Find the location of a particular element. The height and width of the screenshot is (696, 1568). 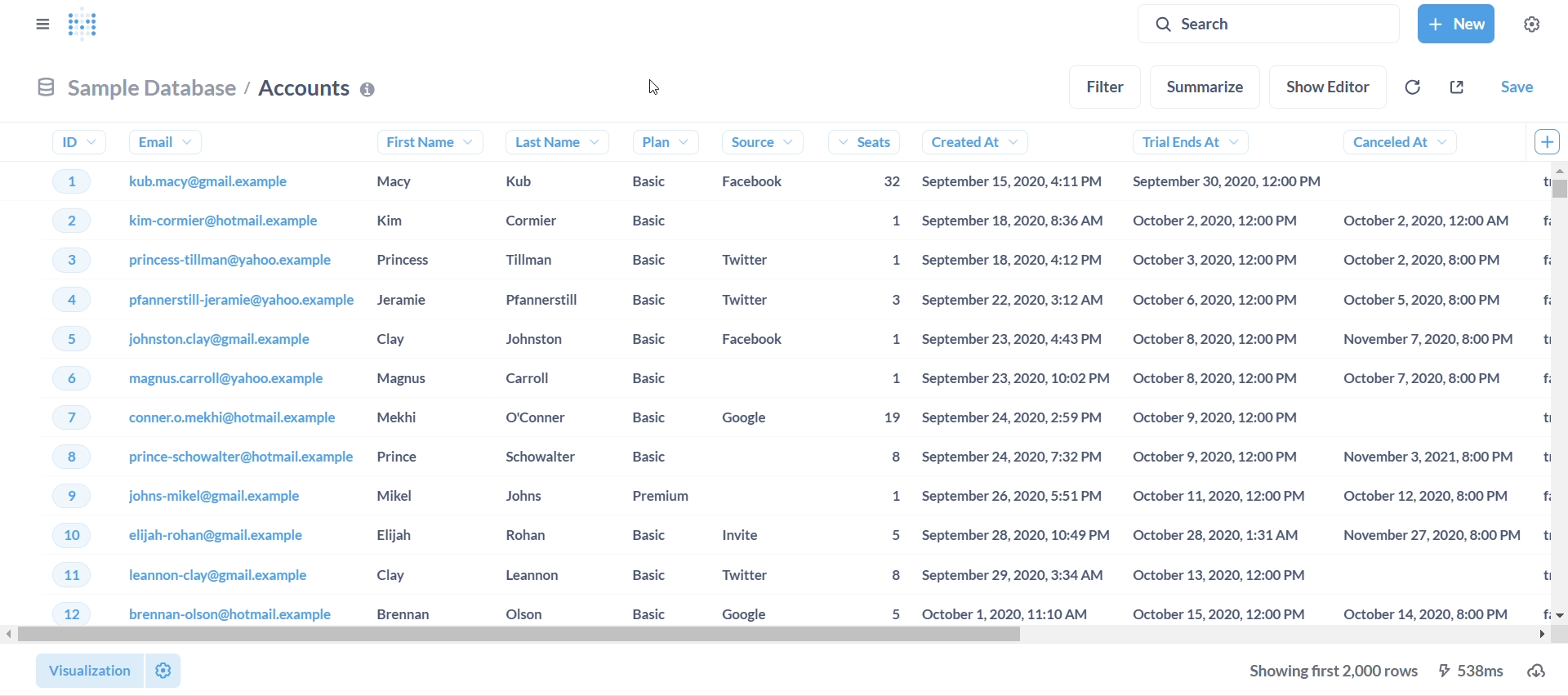

vertical scroll bar is located at coordinates (1558, 395).